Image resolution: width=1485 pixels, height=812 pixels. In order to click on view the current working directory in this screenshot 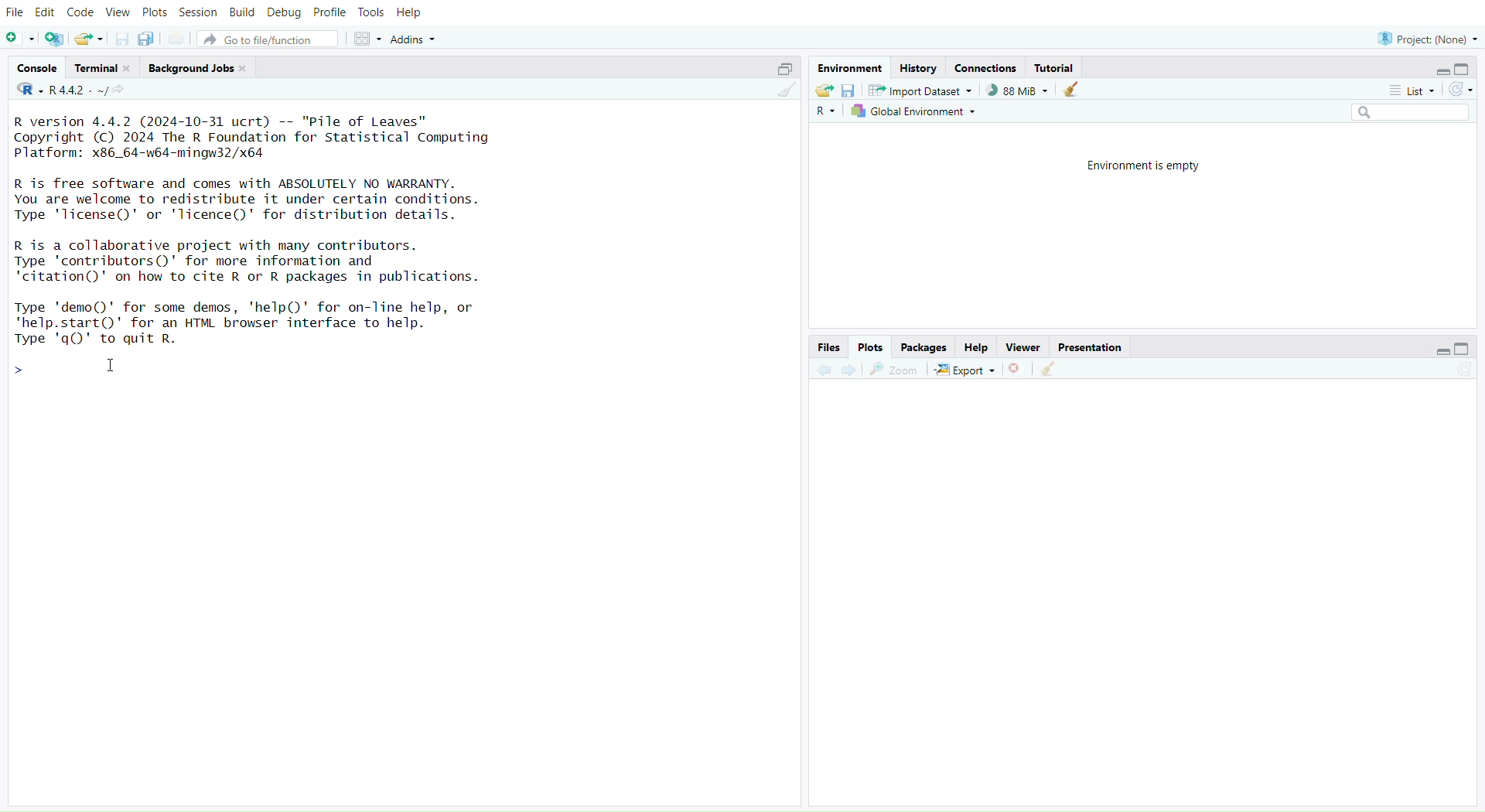, I will do `click(121, 90)`.